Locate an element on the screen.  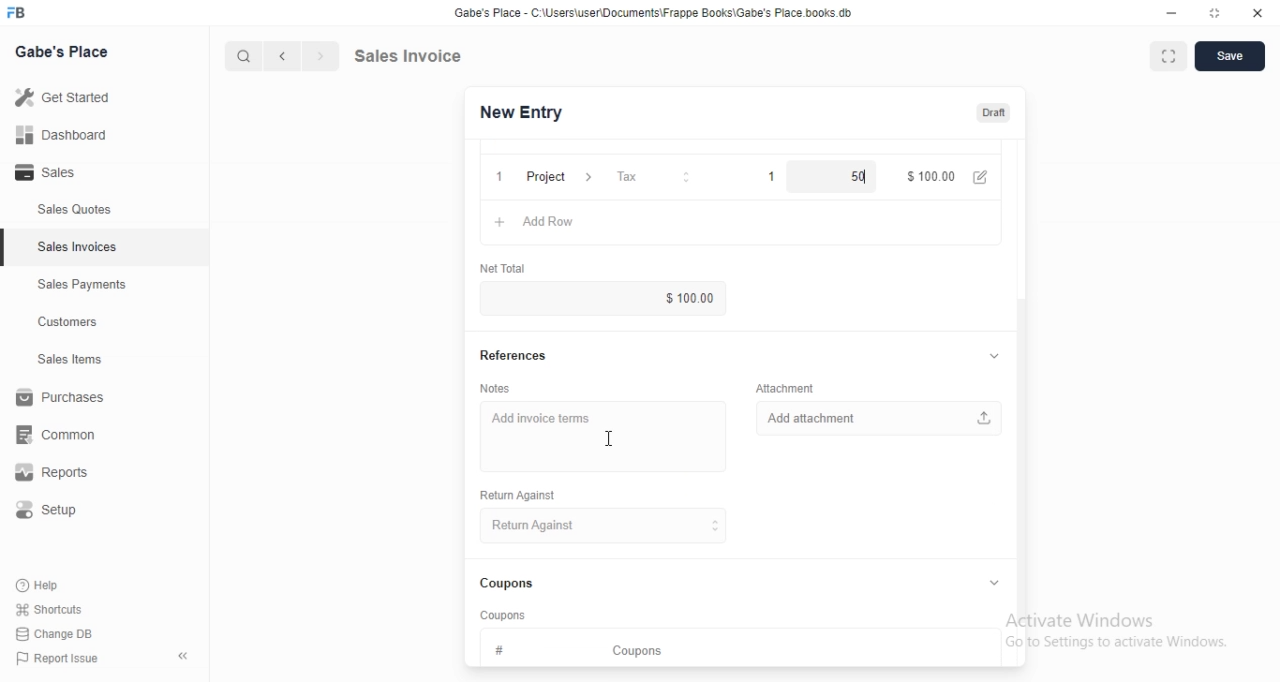
collapse/expand is located at coordinates (994, 584).